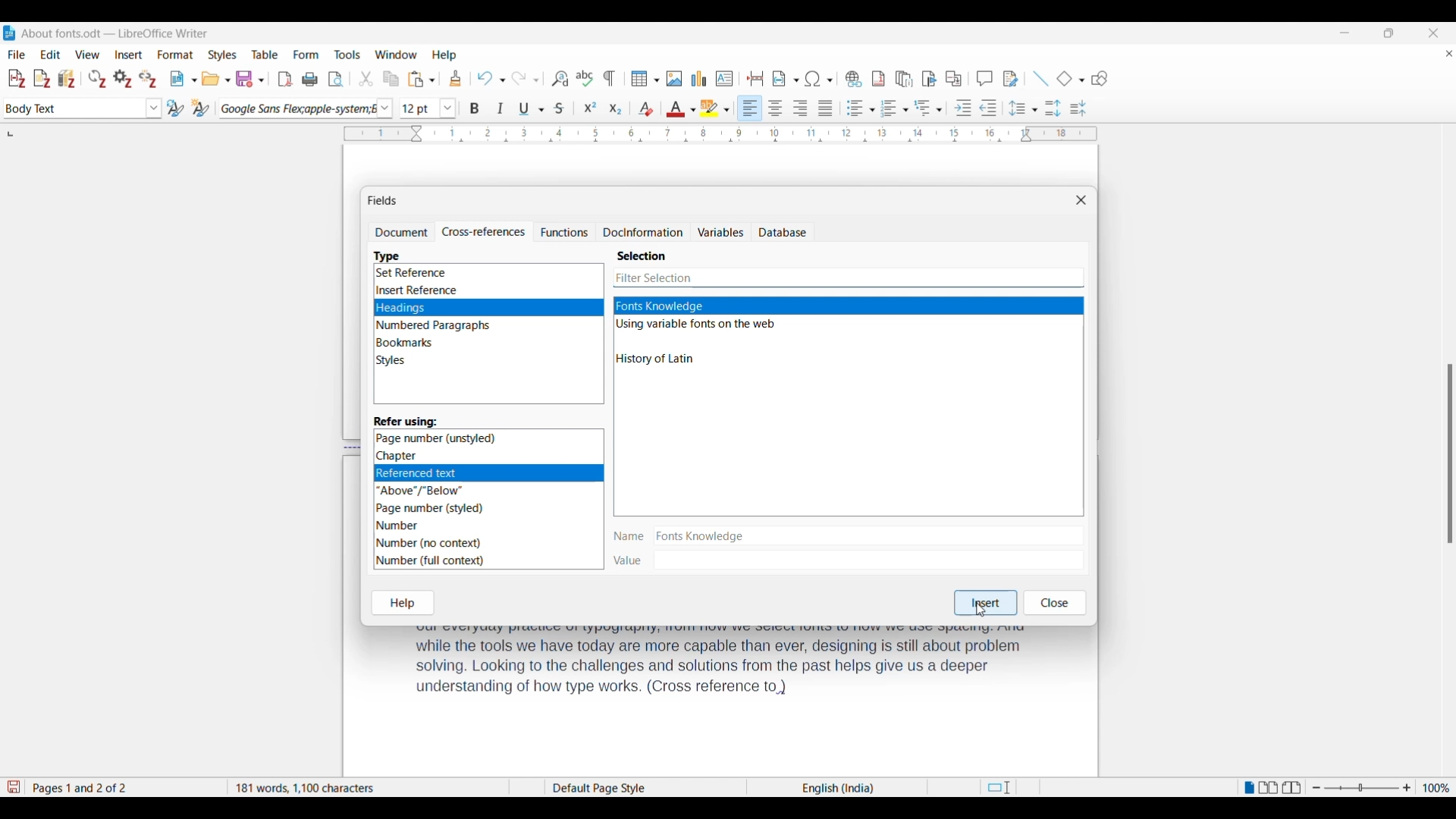  I want to click on Font size options, so click(448, 108).